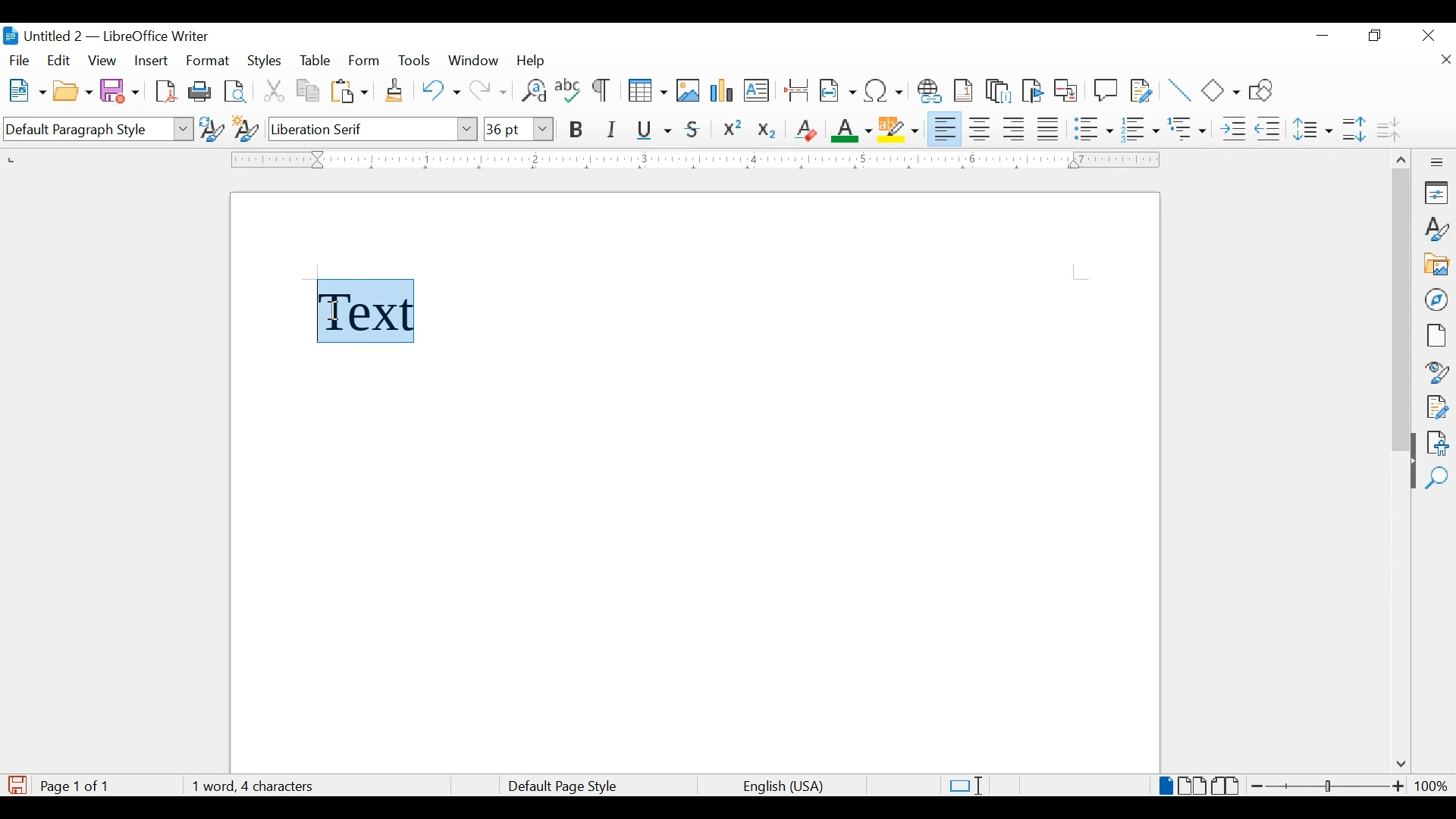 This screenshot has height=819, width=1456. Describe the element at coordinates (1388, 128) in the screenshot. I see `decrease paragraph spacing` at that location.